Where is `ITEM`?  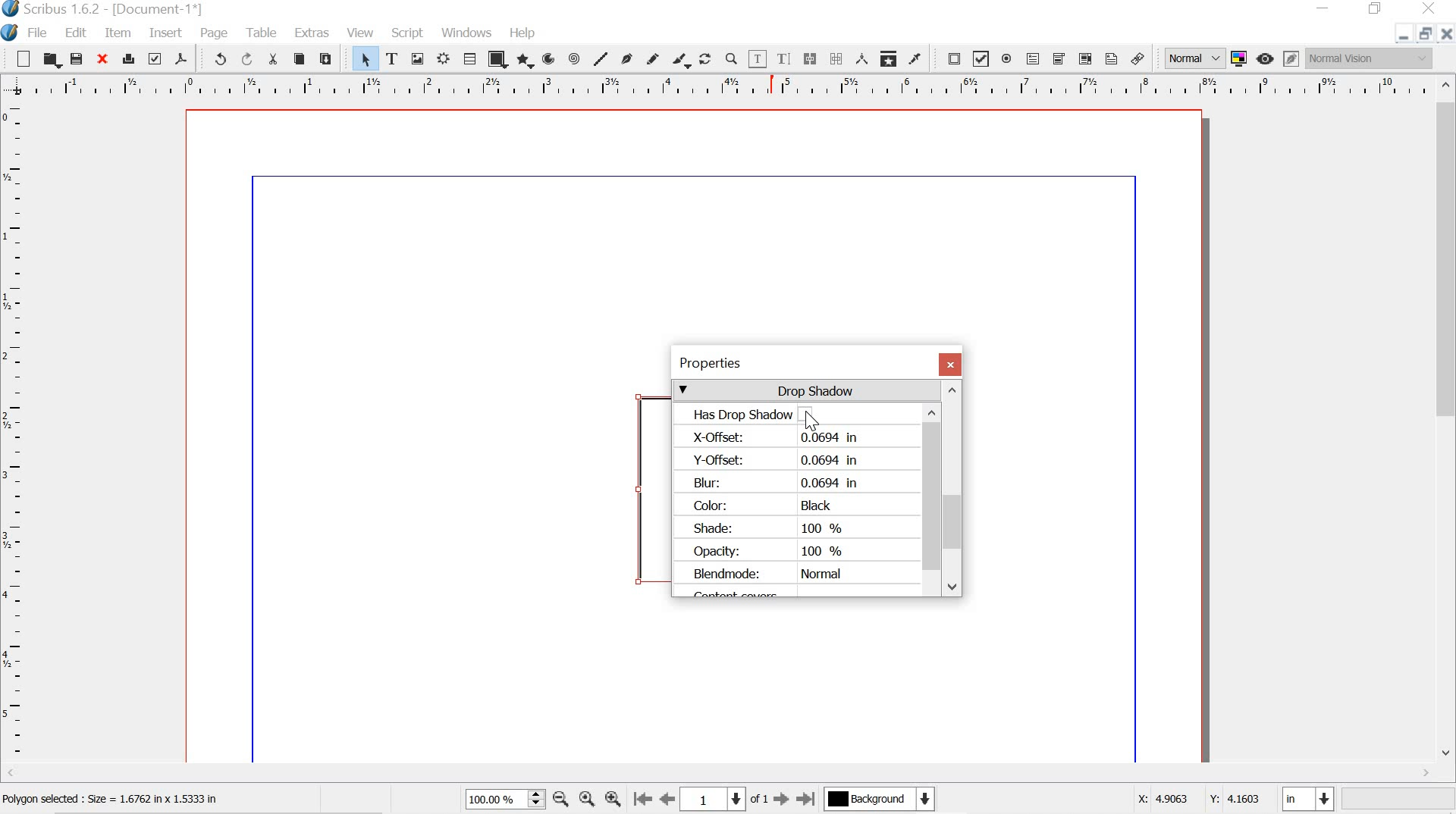 ITEM is located at coordinates (119, 33).